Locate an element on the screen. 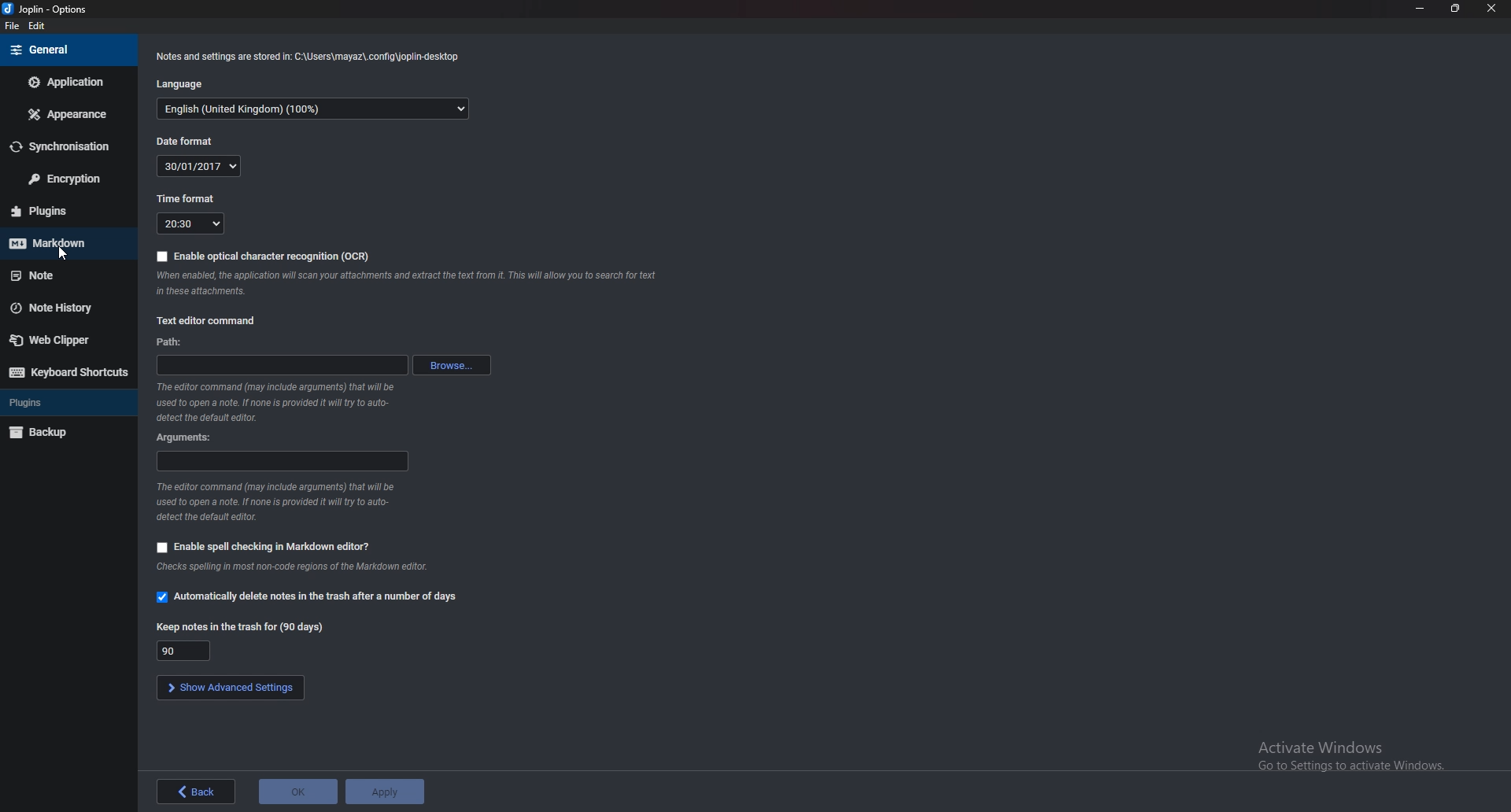 The width and height of the screenshot is (1511, 812). Arguments is located at coordinates (281, 461).